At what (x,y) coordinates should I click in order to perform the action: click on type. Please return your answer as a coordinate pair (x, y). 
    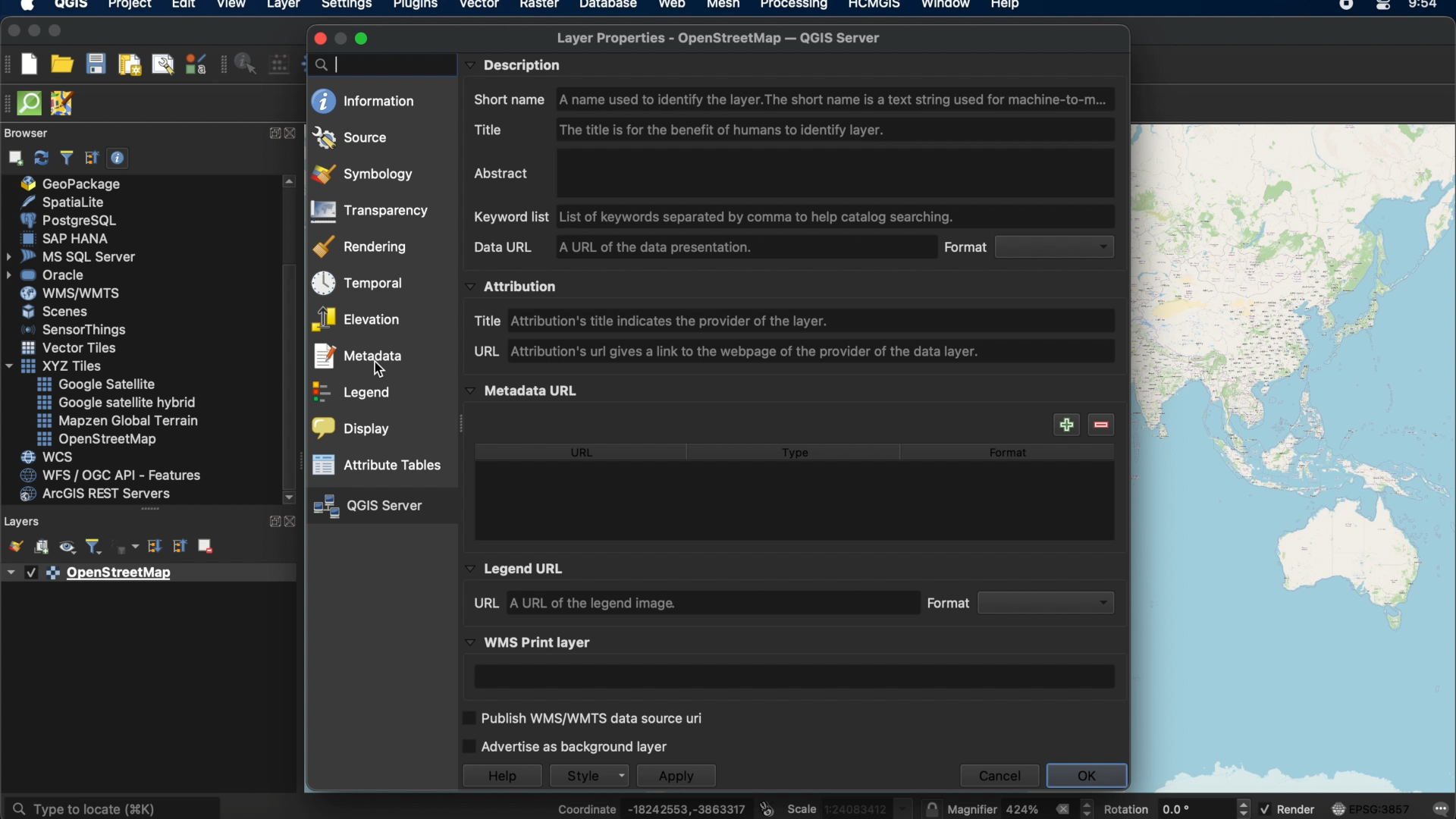
    Looking at the image, I should click on (798, 454).